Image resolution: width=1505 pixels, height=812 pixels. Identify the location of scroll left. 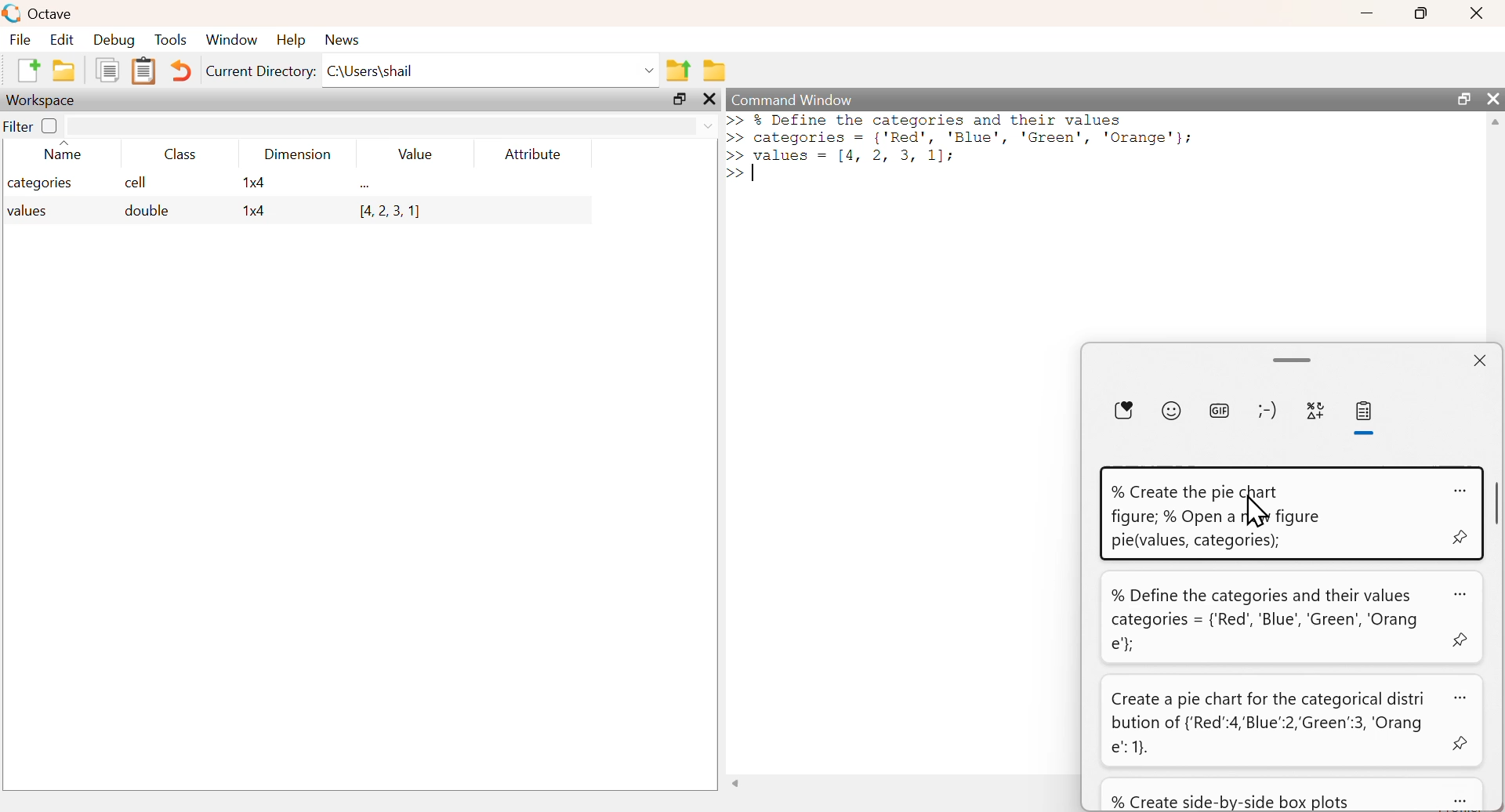
(738, 782).